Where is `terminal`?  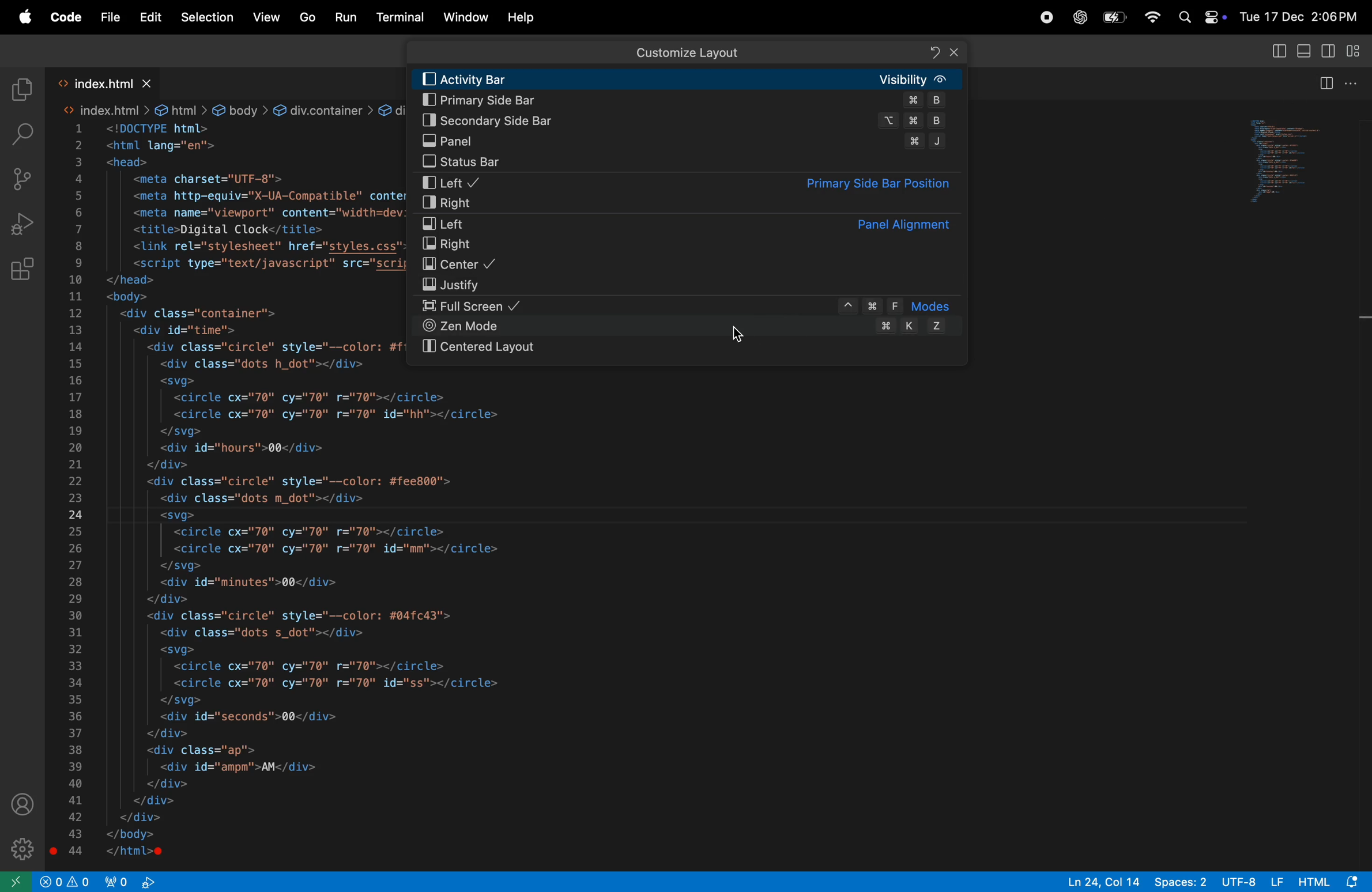
terminal is located at coordinates (402, 16).